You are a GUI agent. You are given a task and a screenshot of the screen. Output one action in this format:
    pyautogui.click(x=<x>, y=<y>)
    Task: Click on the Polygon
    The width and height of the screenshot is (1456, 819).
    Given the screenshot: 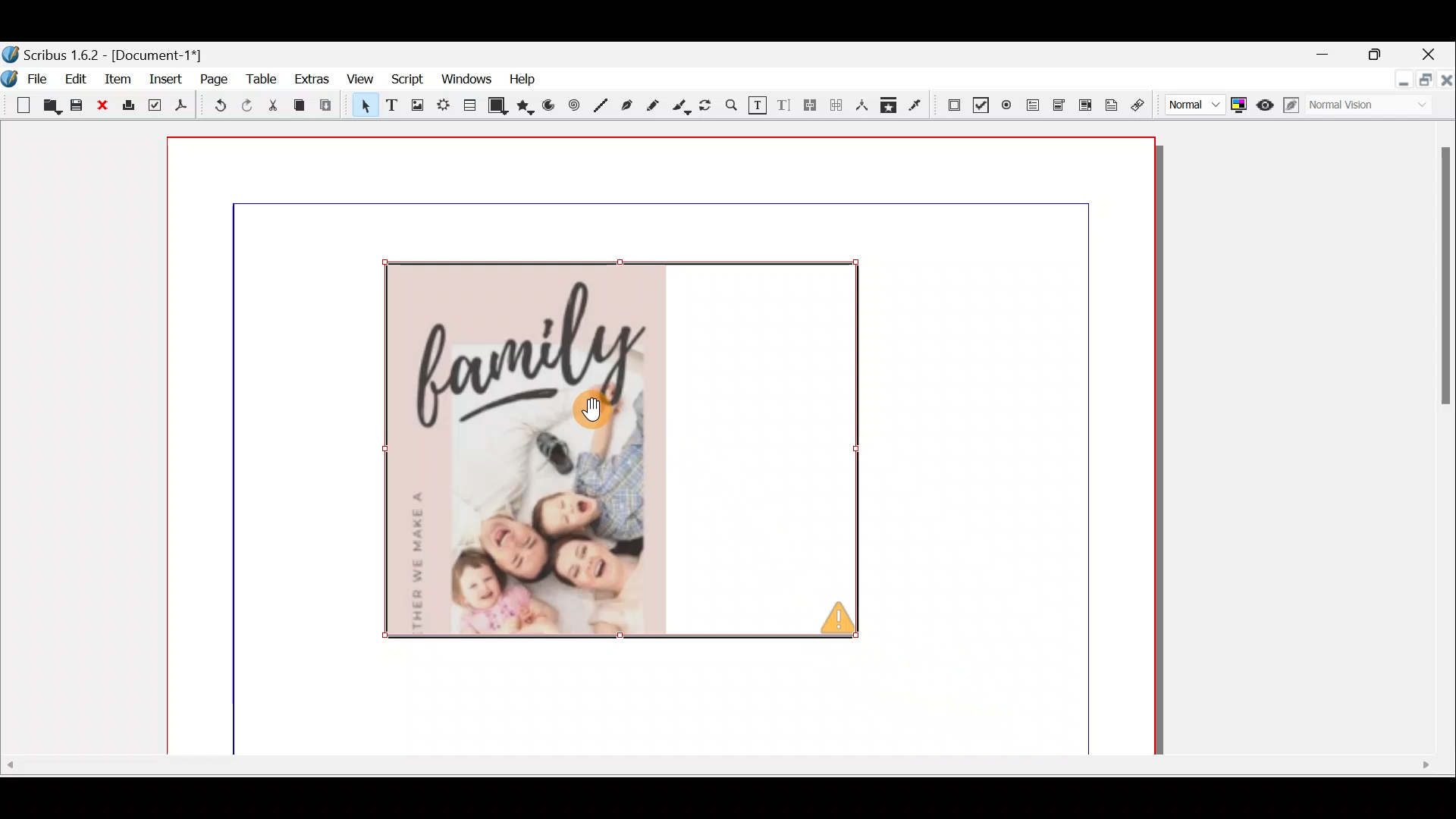 What is the action you would take?
    pyautogui.click(x=527, y=109)
    